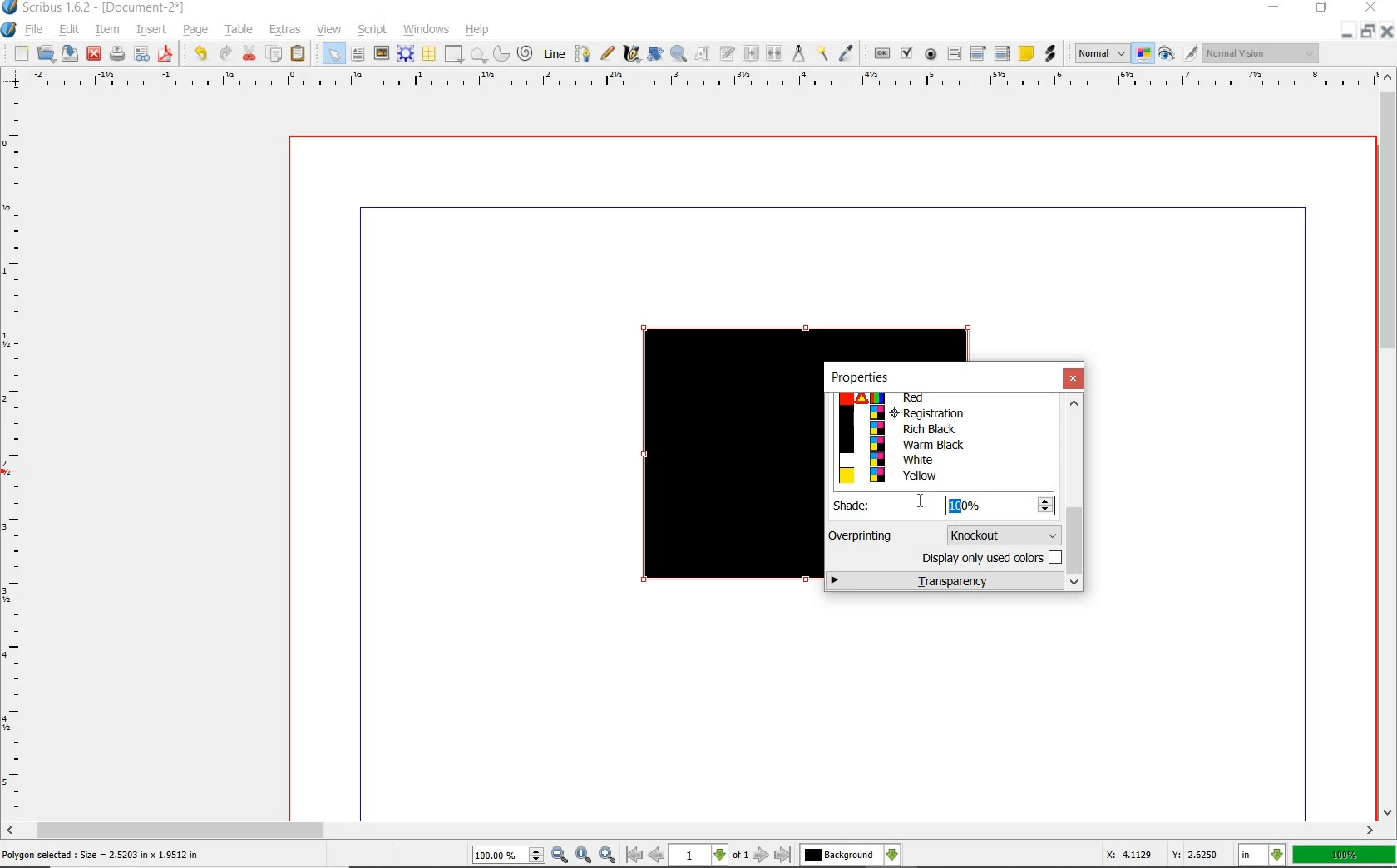 The width and height of the screenshot is (1397, 868). What do you see at coordinates (508, 856) in the screenshot?
I see `select current zoom level` at bounding box center [508, 856].